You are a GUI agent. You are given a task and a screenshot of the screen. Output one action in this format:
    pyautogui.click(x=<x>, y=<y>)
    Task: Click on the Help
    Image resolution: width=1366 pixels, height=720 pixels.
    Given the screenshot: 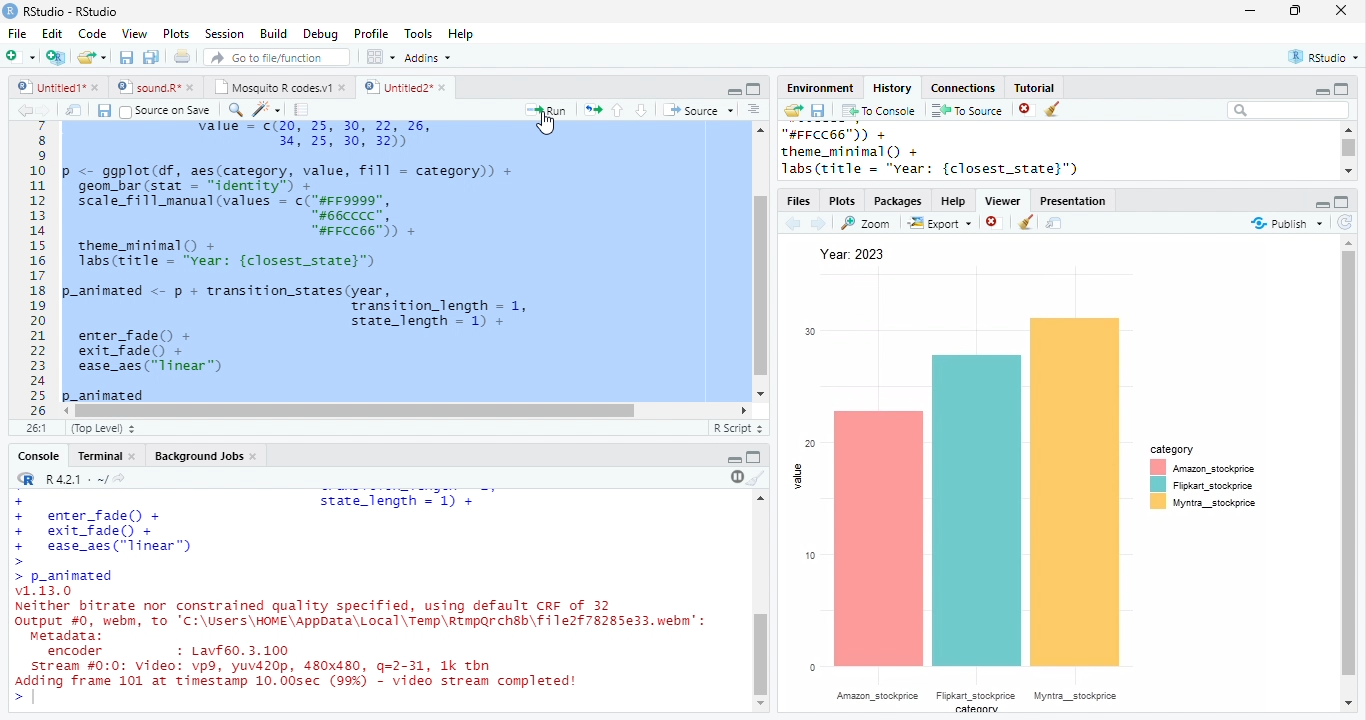 What is the action you would take?
    pyautogui.click(x=460, y=33)
    